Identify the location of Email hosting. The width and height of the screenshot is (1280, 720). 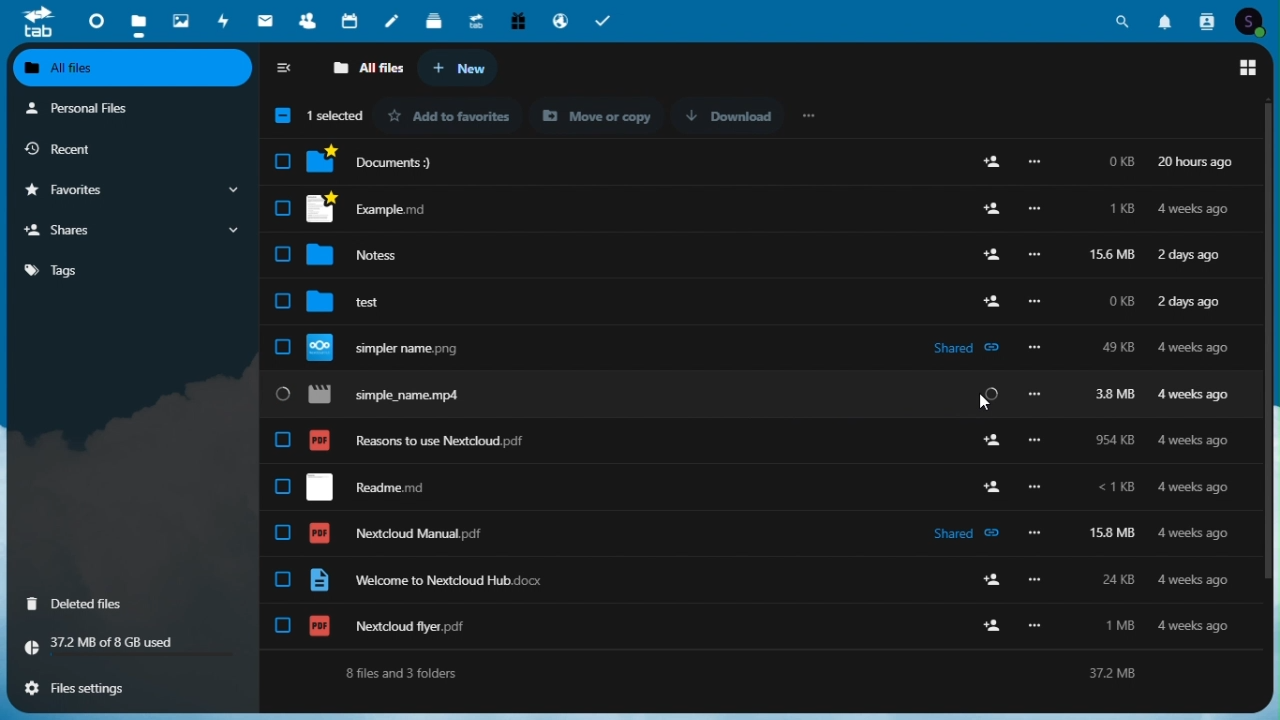
(559, 20).